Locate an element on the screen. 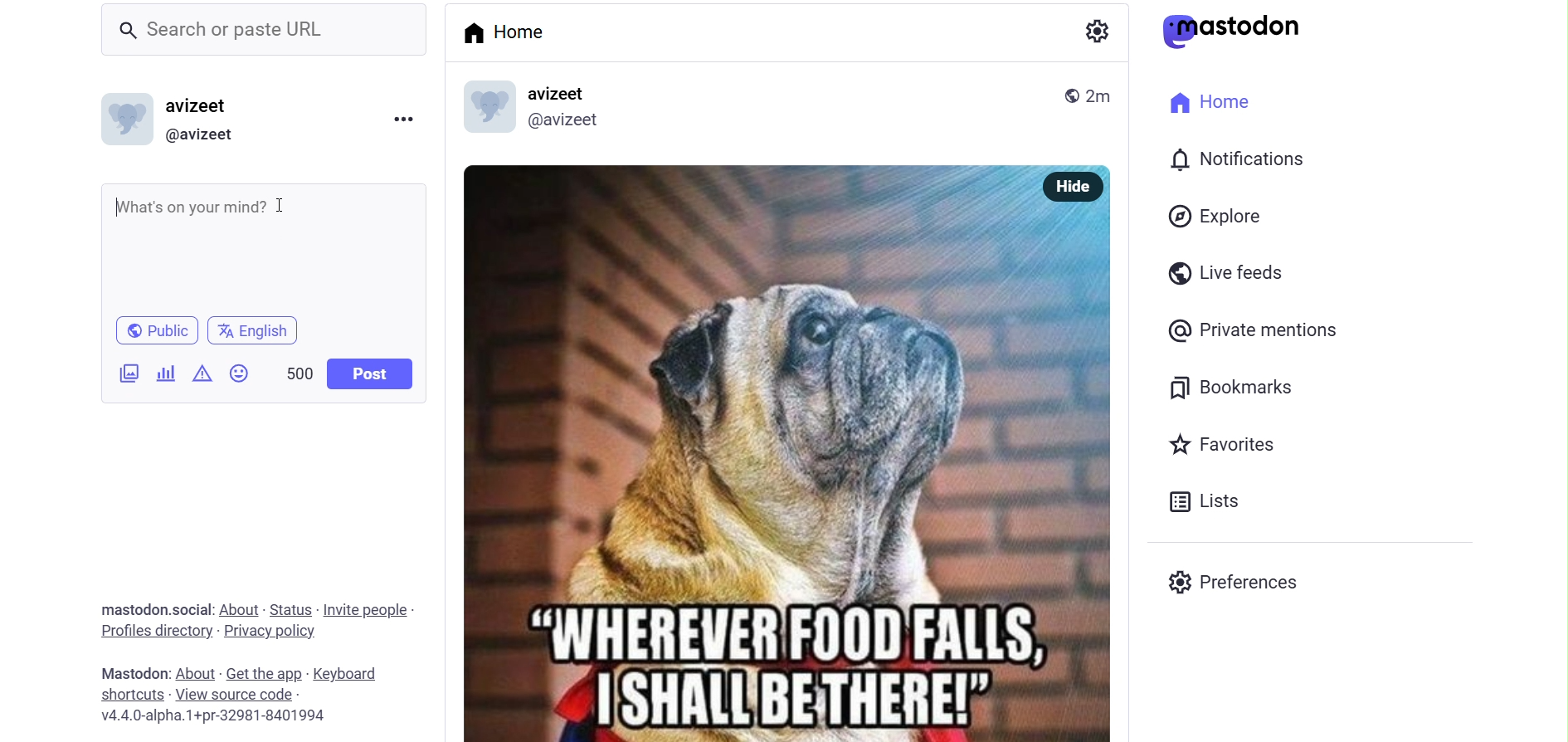  display picture is located at coordinates (494, 104).